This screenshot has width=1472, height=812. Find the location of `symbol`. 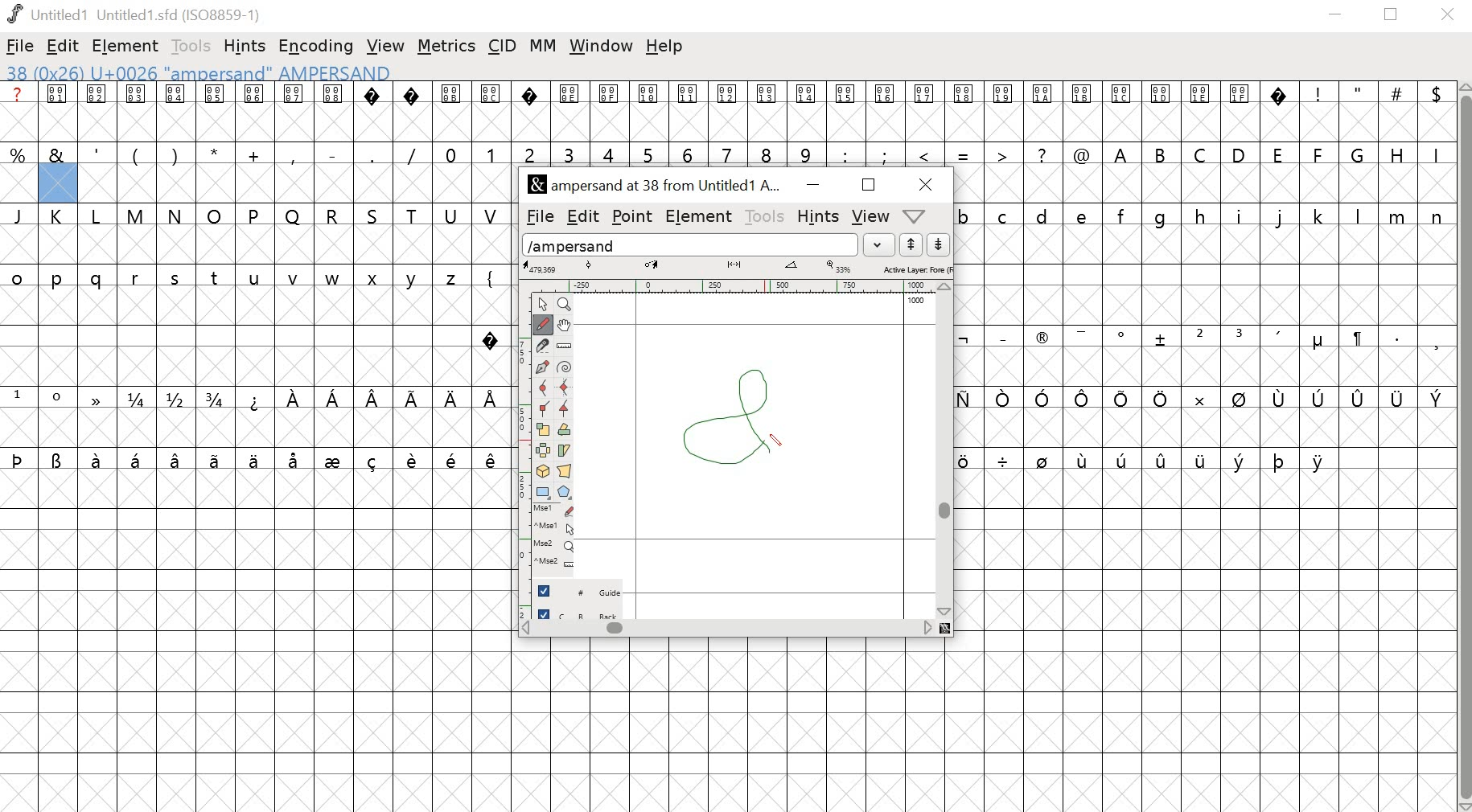

symbol is located at coordinates (138, 459).